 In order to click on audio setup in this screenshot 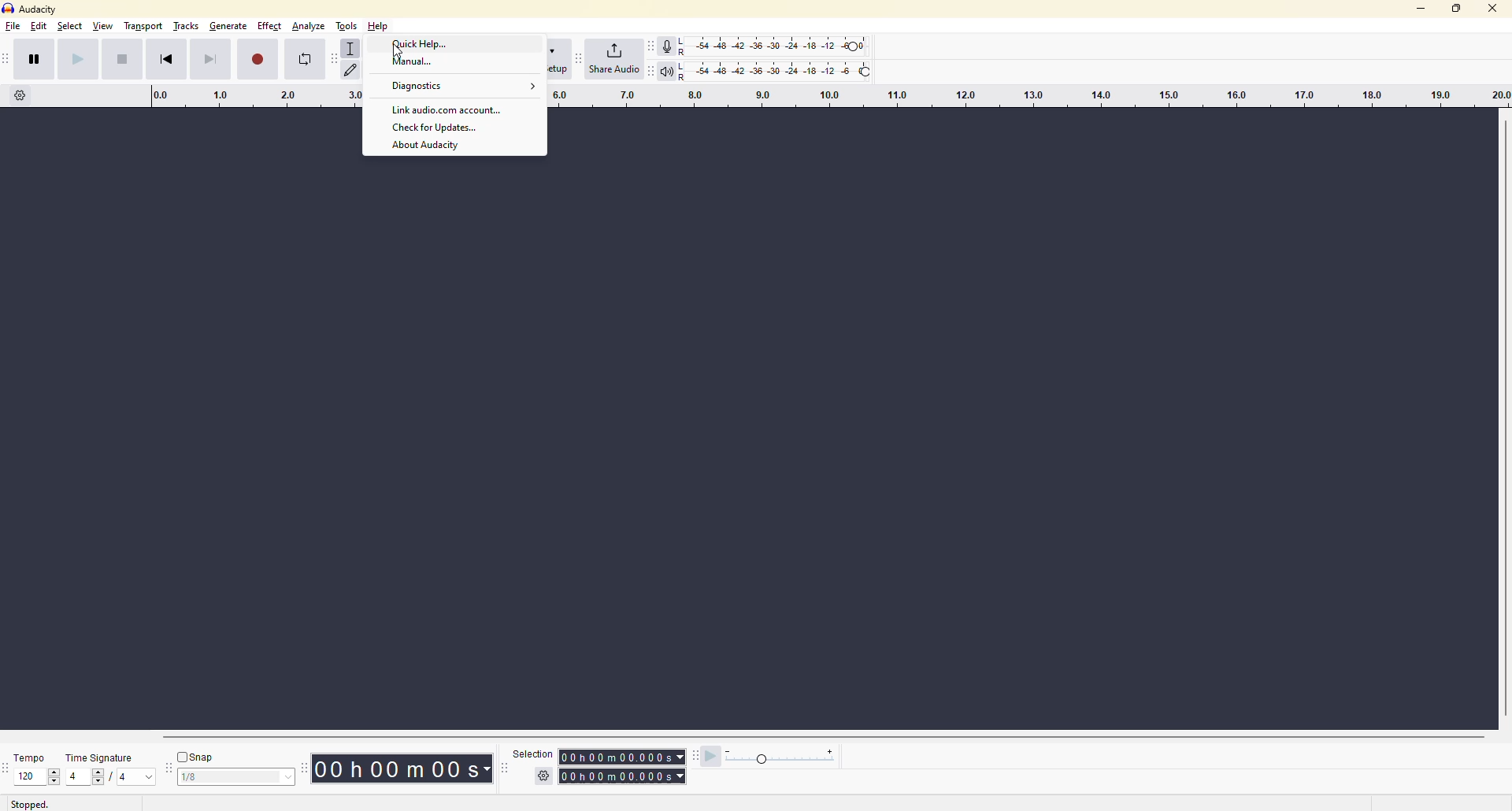, I will do `click(560, 61)`.